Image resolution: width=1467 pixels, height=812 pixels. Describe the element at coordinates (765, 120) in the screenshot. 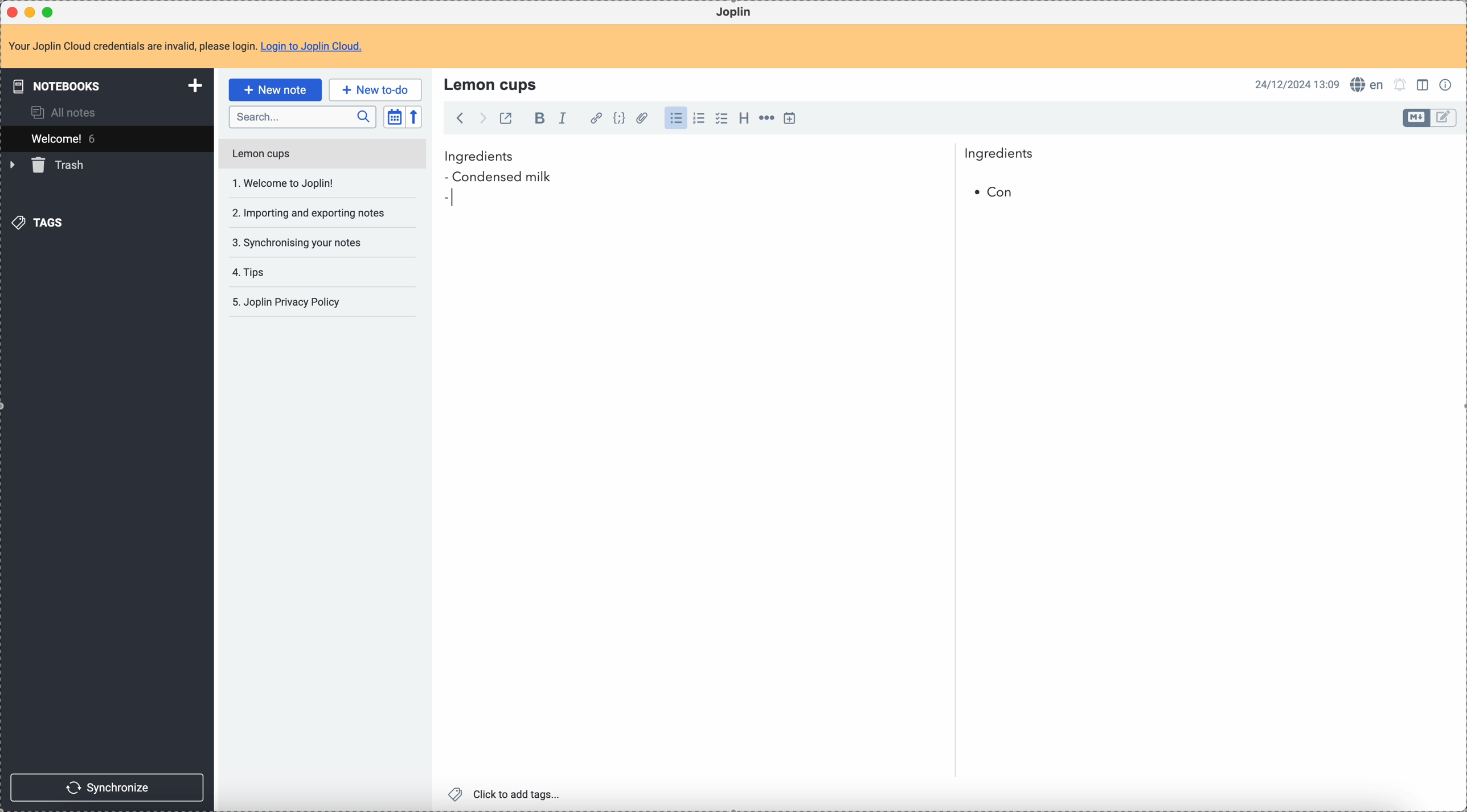

I see `horizontal rule` at that location.